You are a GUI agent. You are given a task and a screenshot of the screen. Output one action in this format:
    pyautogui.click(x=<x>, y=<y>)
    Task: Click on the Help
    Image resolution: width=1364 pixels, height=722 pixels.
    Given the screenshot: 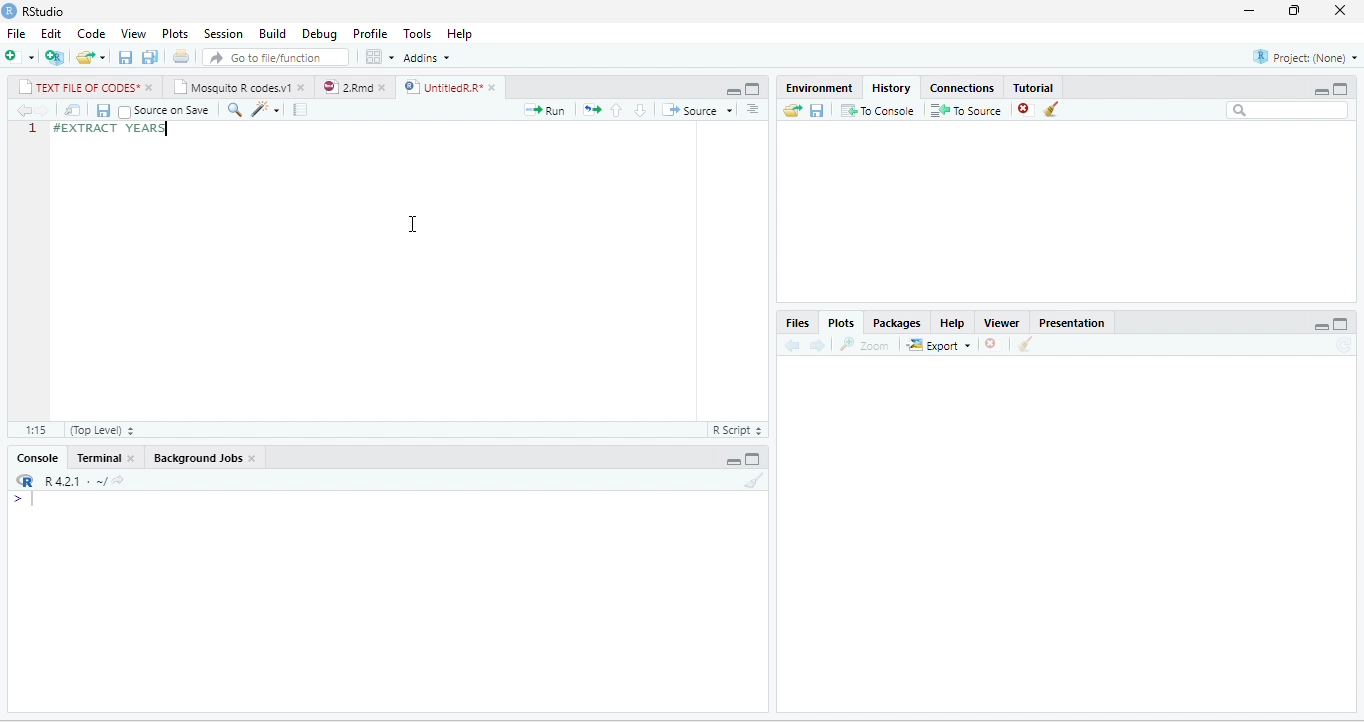 What is the action you would take?
    pyautogui.click(x=460, y=35)
    